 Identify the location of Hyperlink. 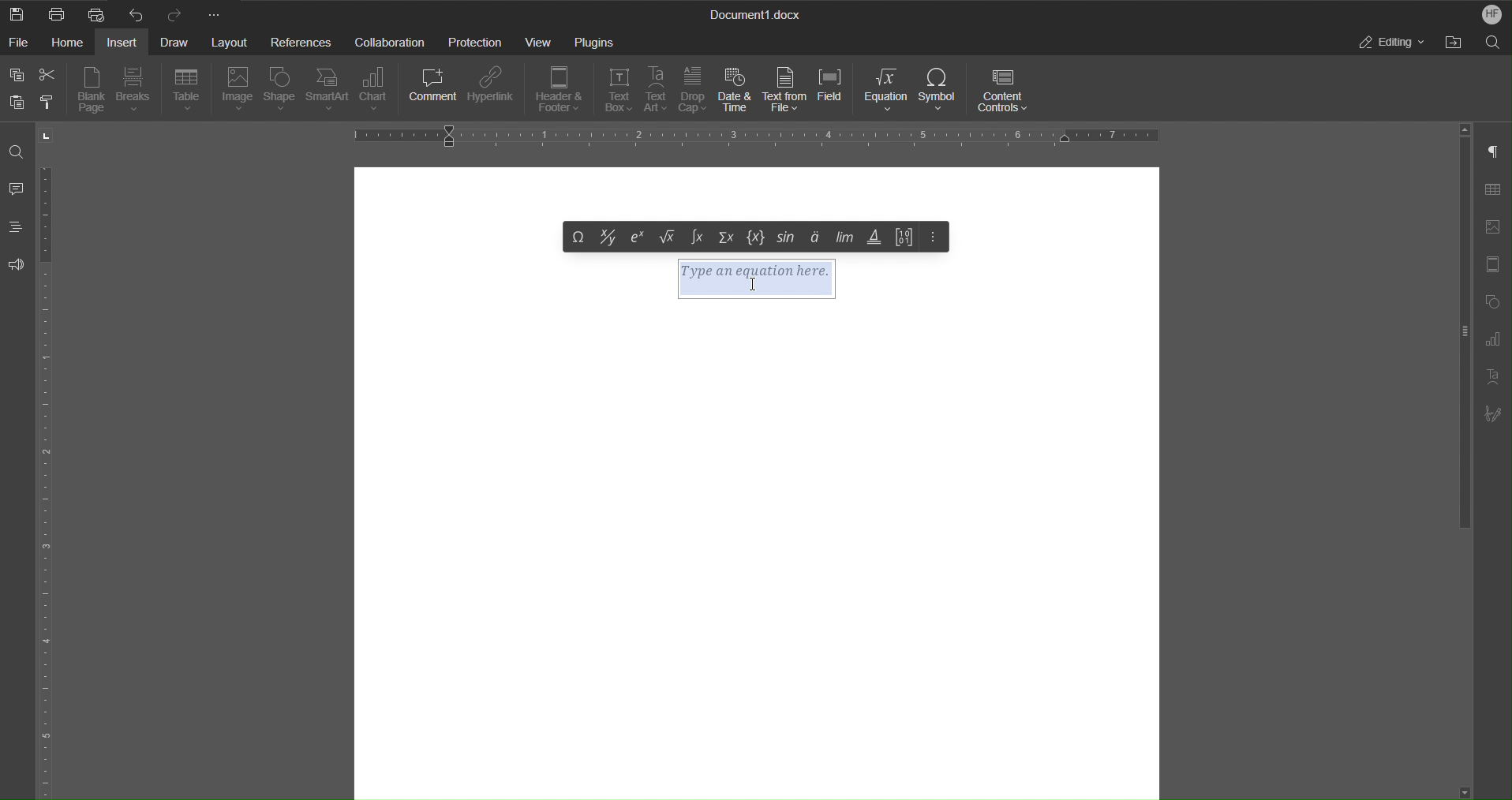
(495, 91).